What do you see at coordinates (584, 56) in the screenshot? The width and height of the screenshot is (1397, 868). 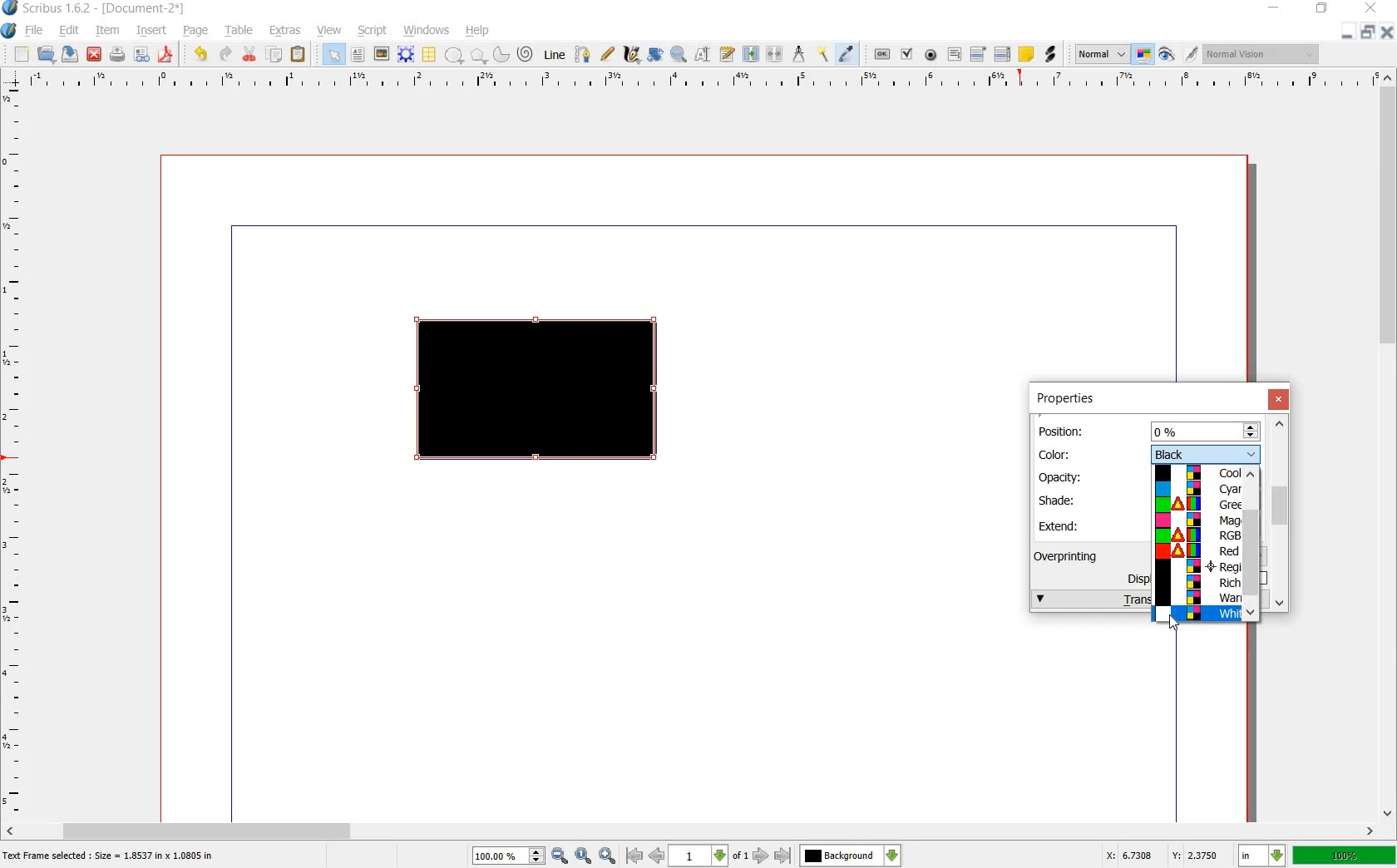 I see `bezier curve` at bounding box center [584, 56].